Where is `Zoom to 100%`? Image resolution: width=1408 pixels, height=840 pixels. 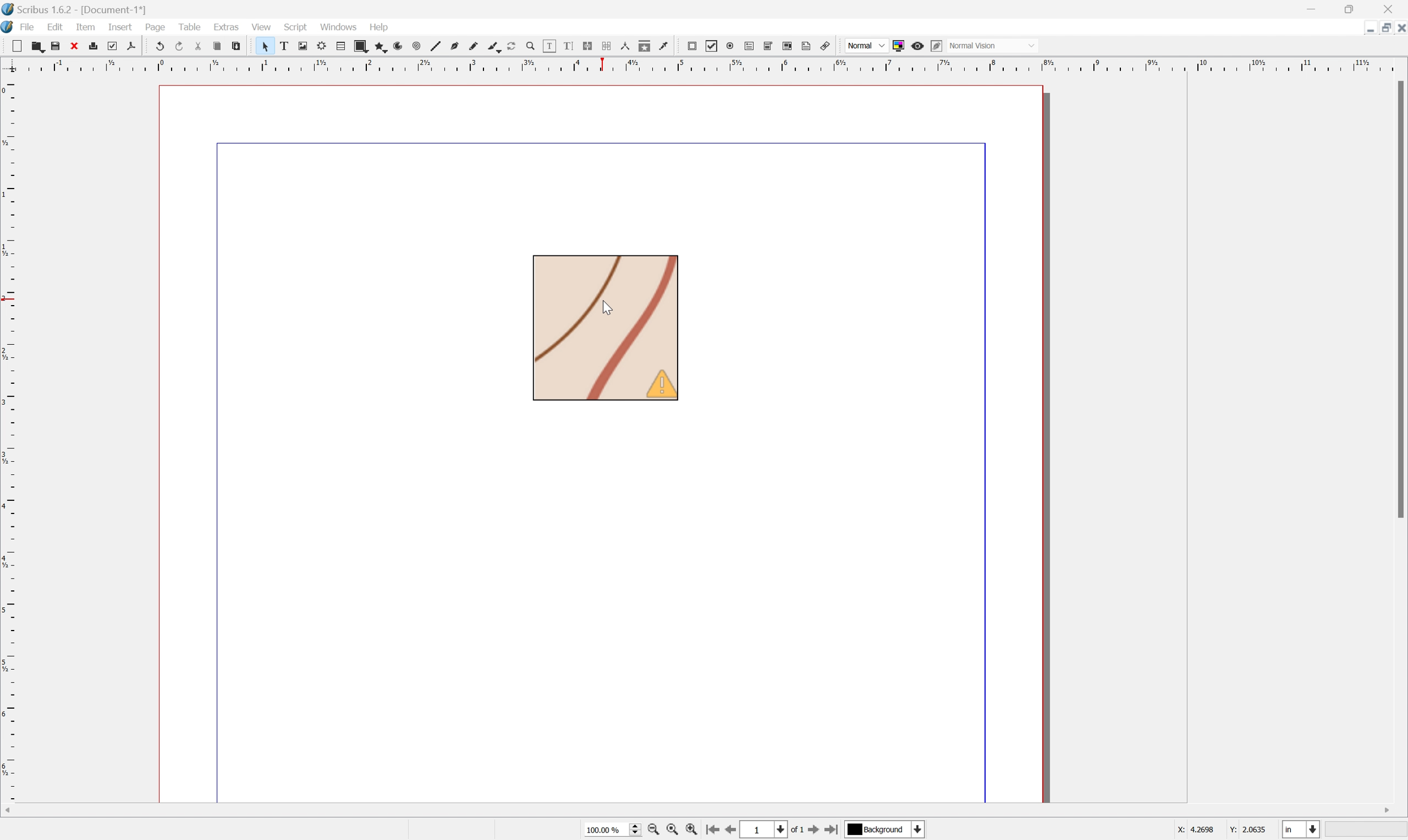
Zoom to 100% is located at coordinates (672, 830).